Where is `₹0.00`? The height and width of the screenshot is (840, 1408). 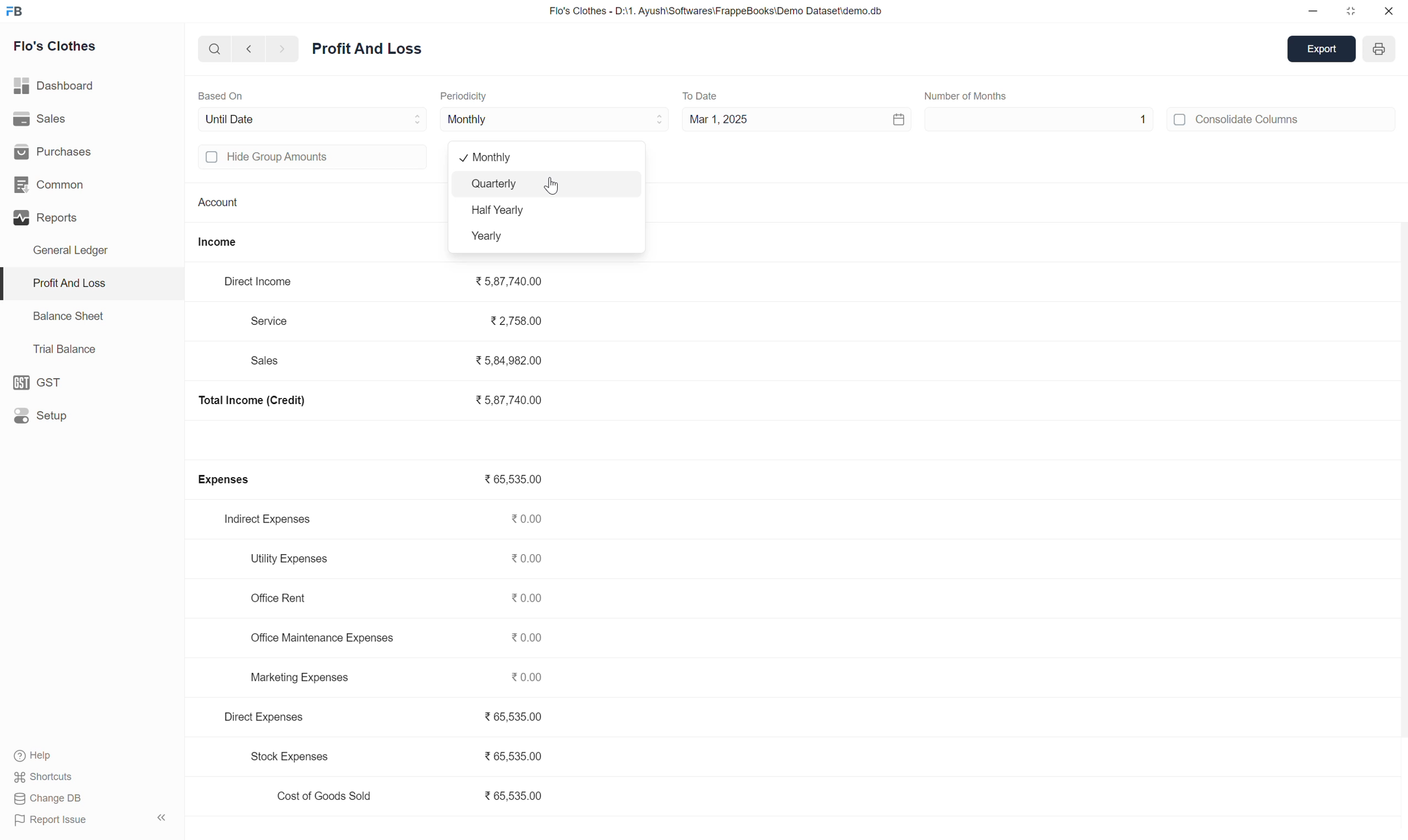
₹0.00 is located at coordinates (532, 678).